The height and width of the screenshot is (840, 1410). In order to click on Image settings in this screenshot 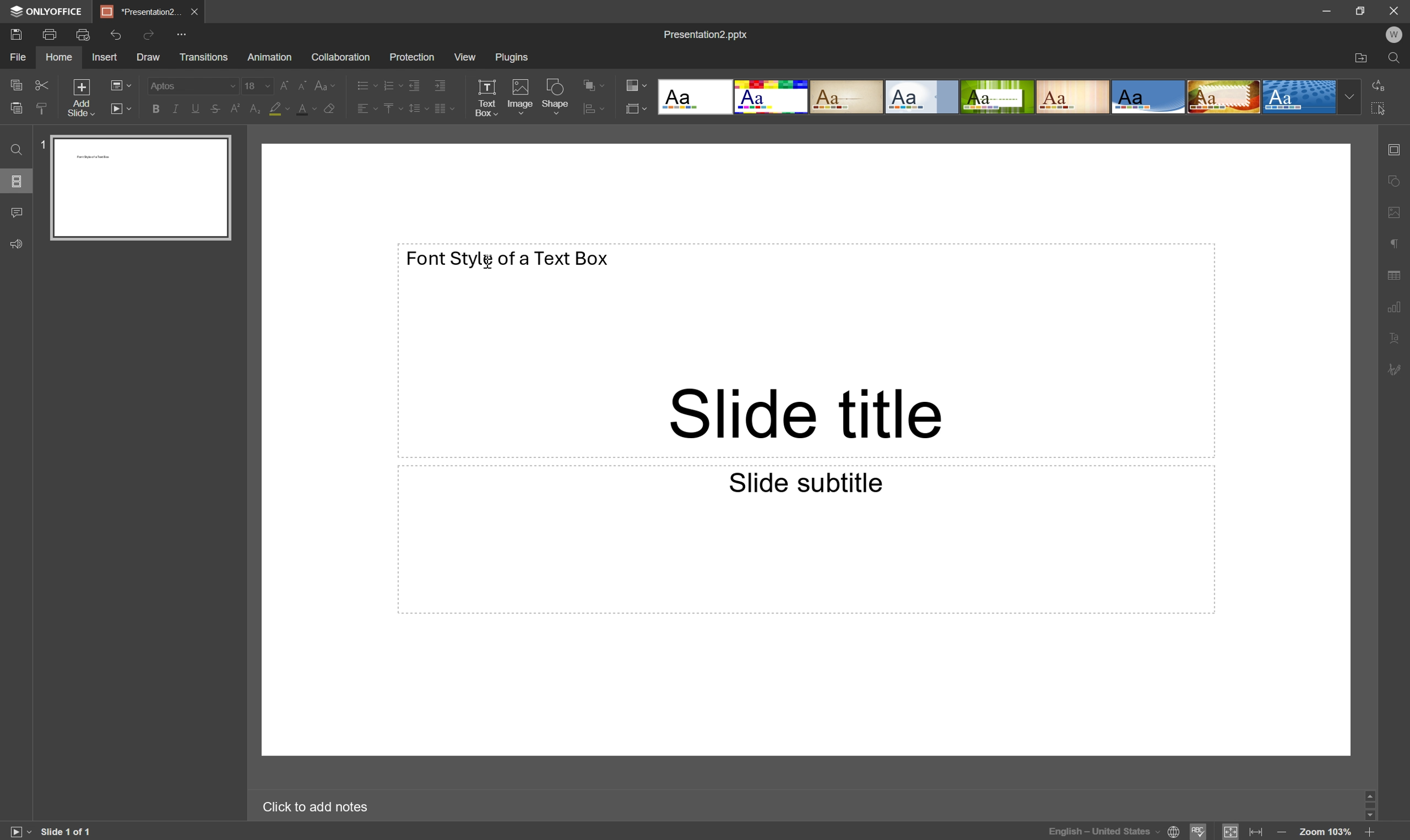, I will do `click(1398, 211)`.